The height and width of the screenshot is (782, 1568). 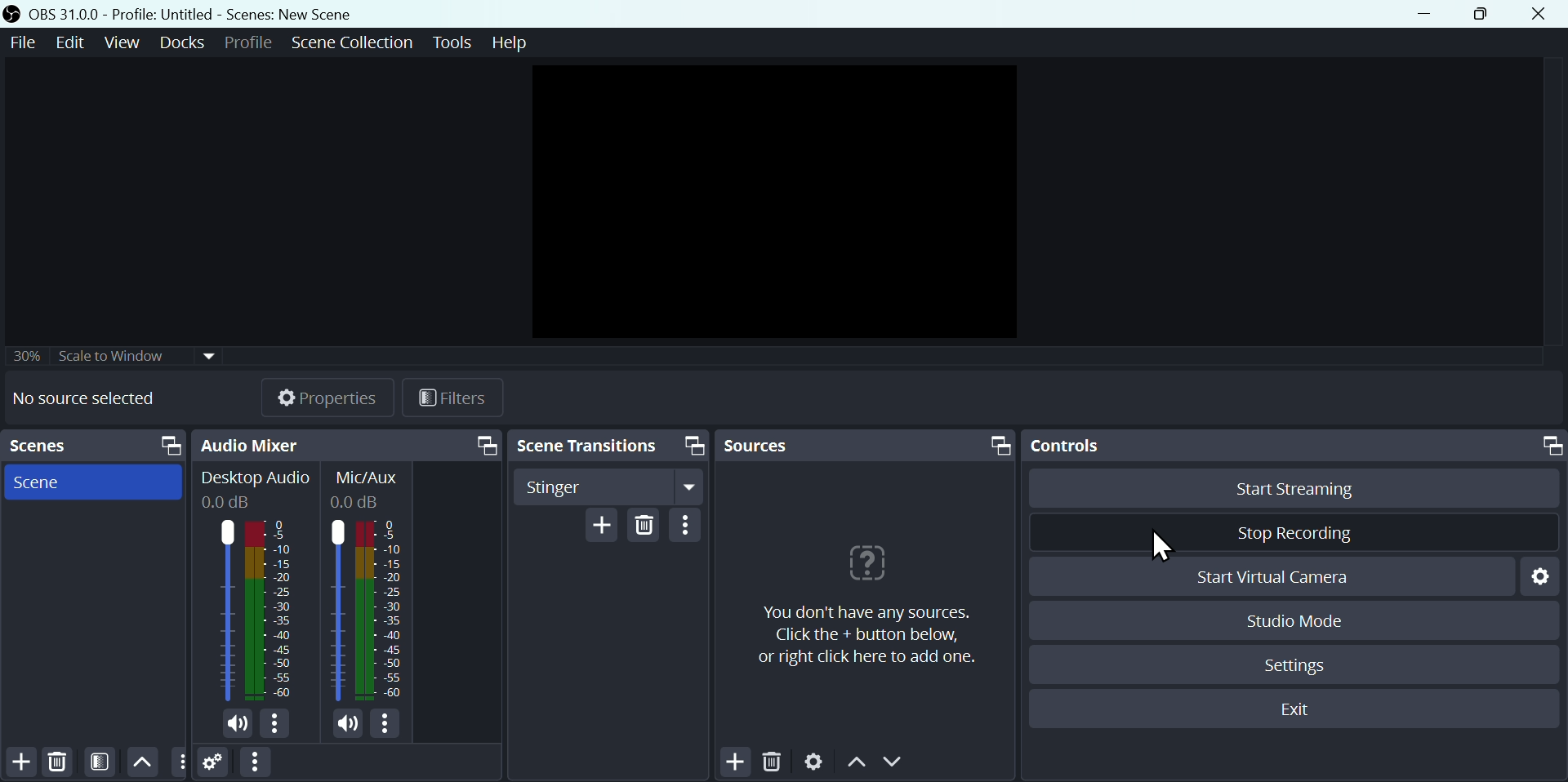 I want to click on cursor, so click(x=1165, y=546).